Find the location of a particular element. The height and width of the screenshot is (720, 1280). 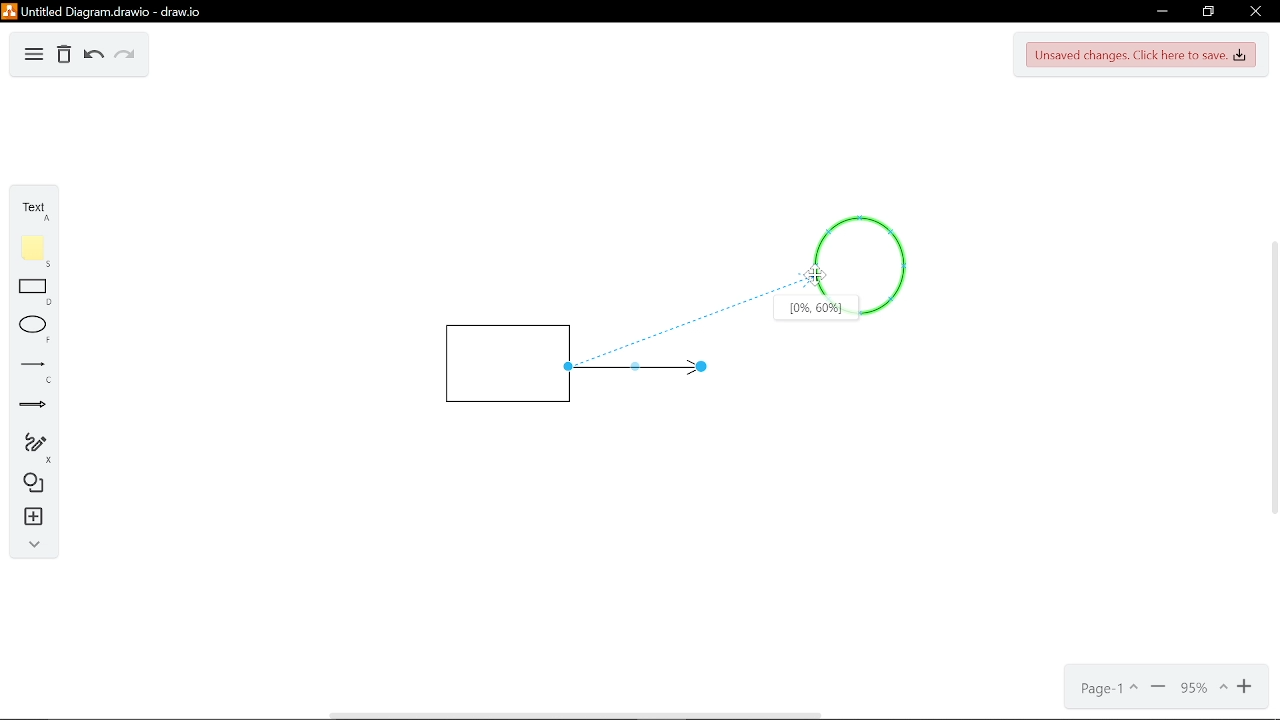

Untitled diagram drawio is located at coordinates (104, 13).